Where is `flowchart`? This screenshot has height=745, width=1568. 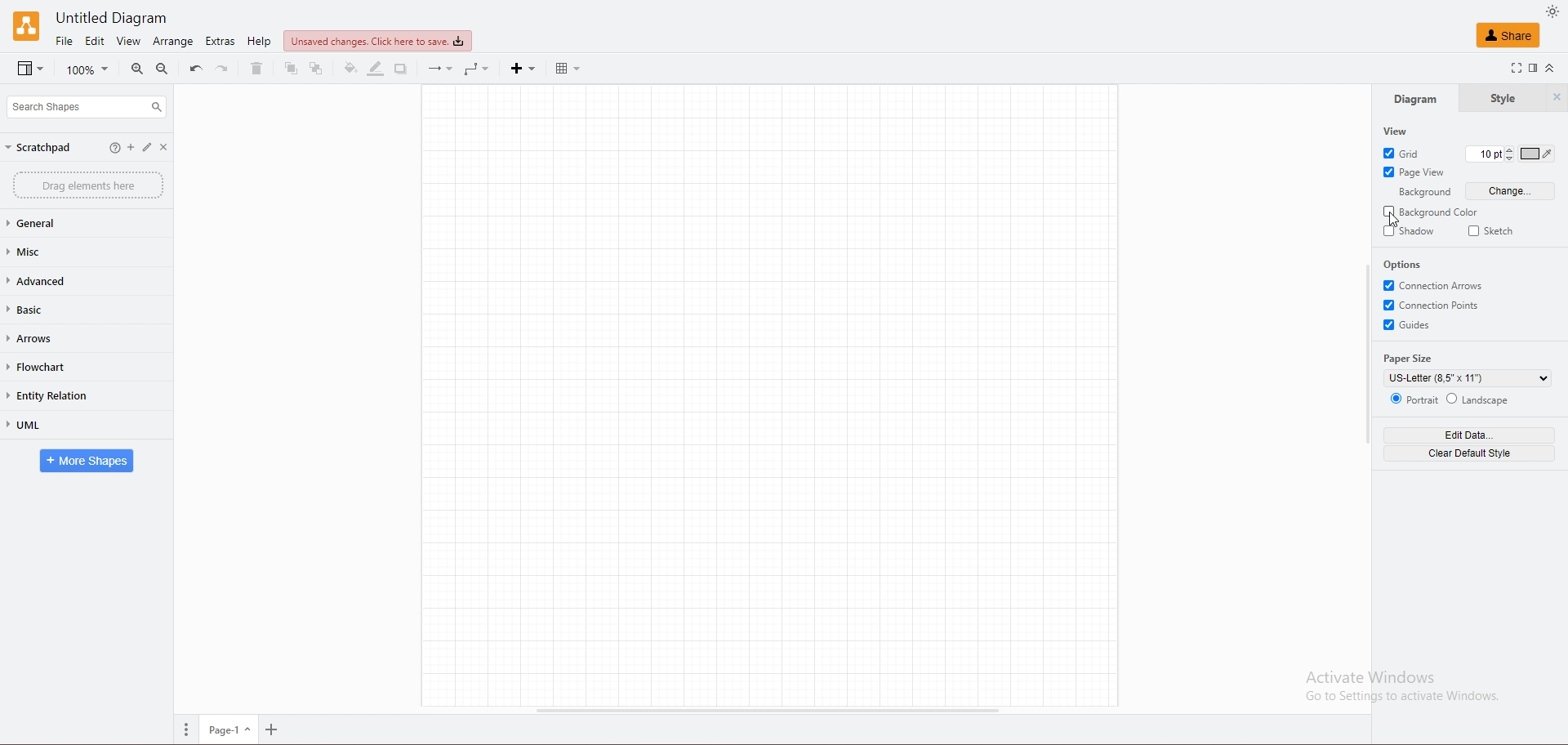
flowchart is located at coordinates (60, 368).